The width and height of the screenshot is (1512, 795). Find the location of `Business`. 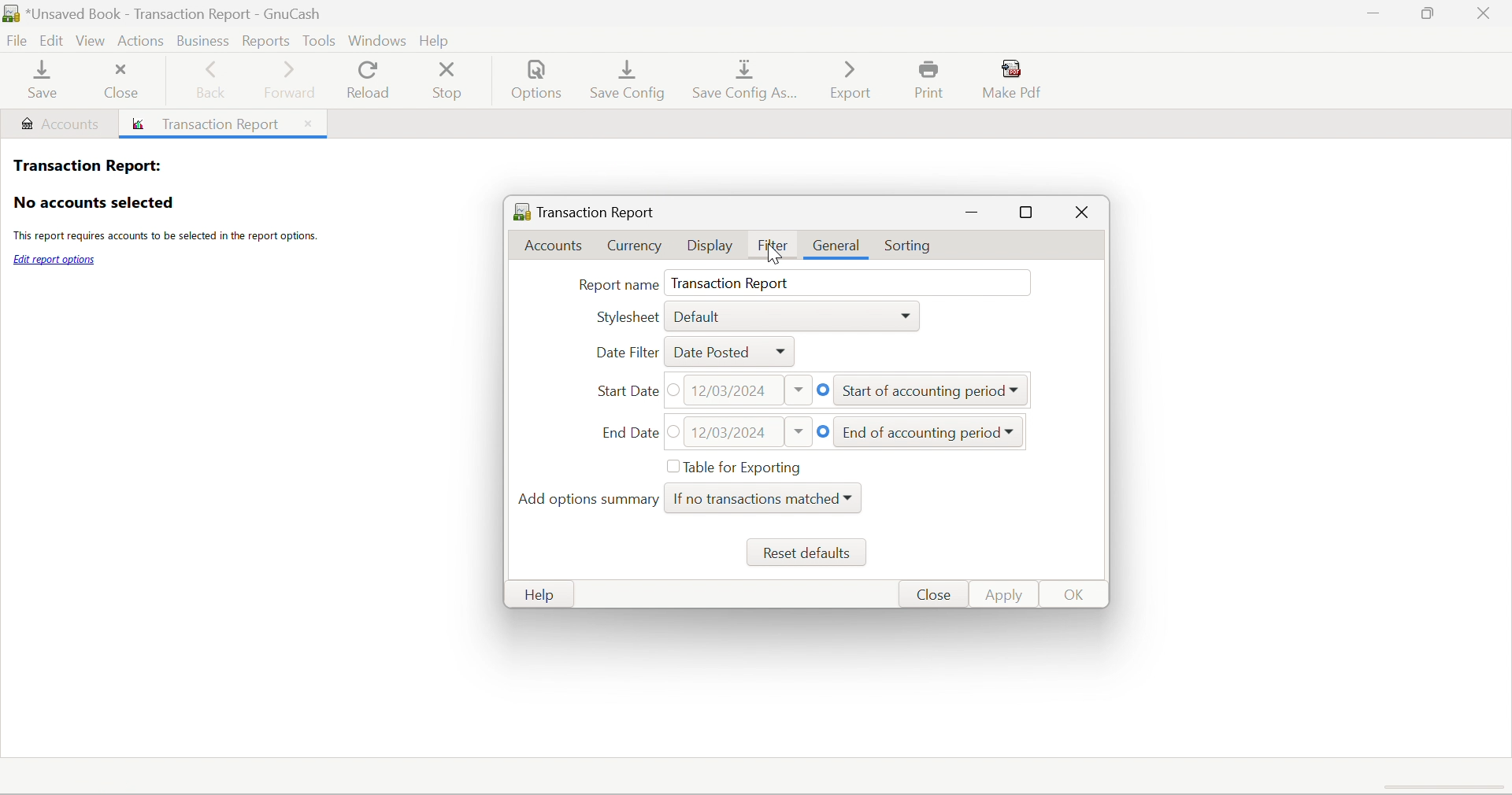

Business is located at coordinates (201, 39).